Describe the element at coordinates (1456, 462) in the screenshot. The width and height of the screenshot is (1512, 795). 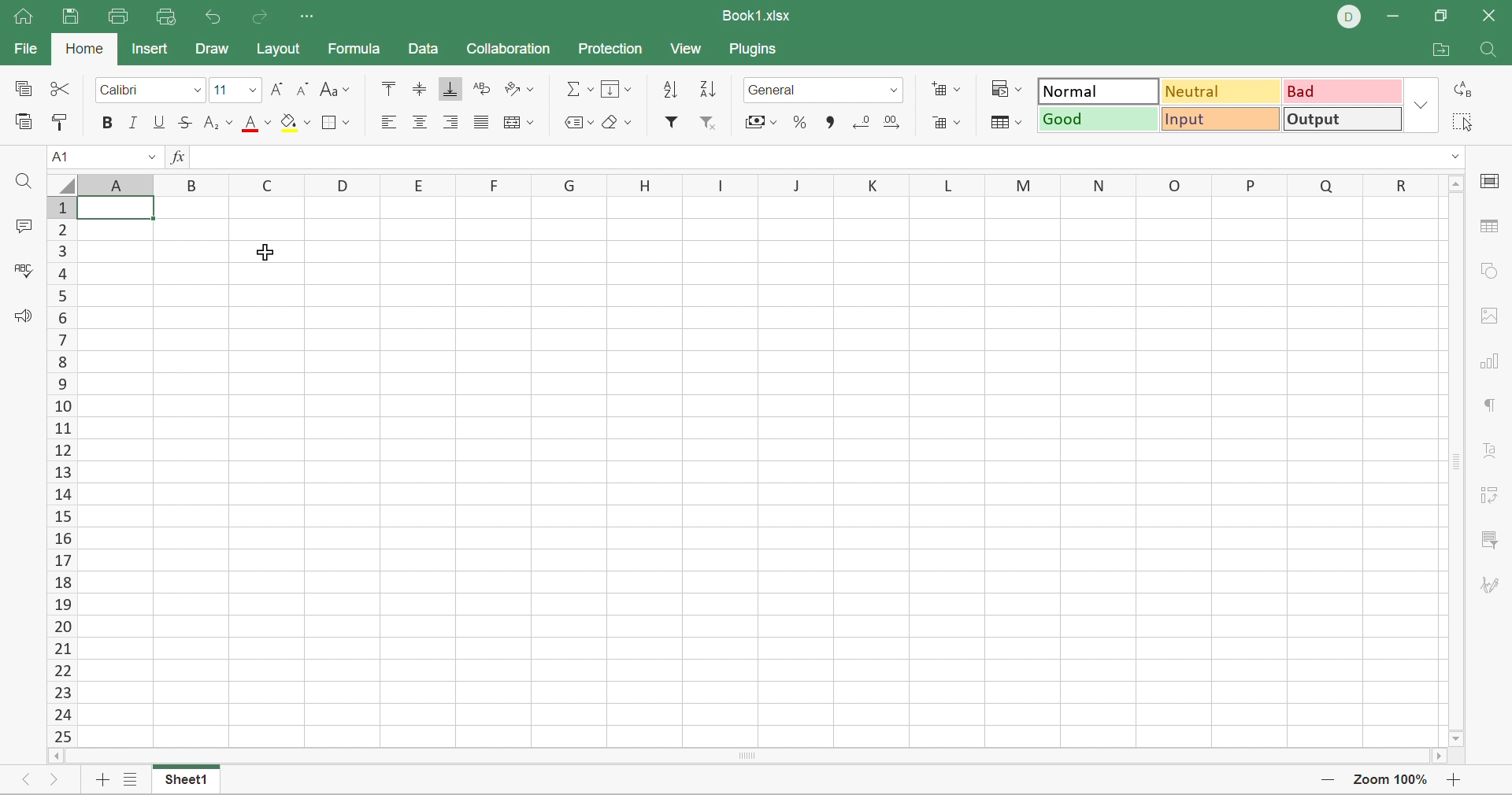
I see `Scroll Bar` at that location.